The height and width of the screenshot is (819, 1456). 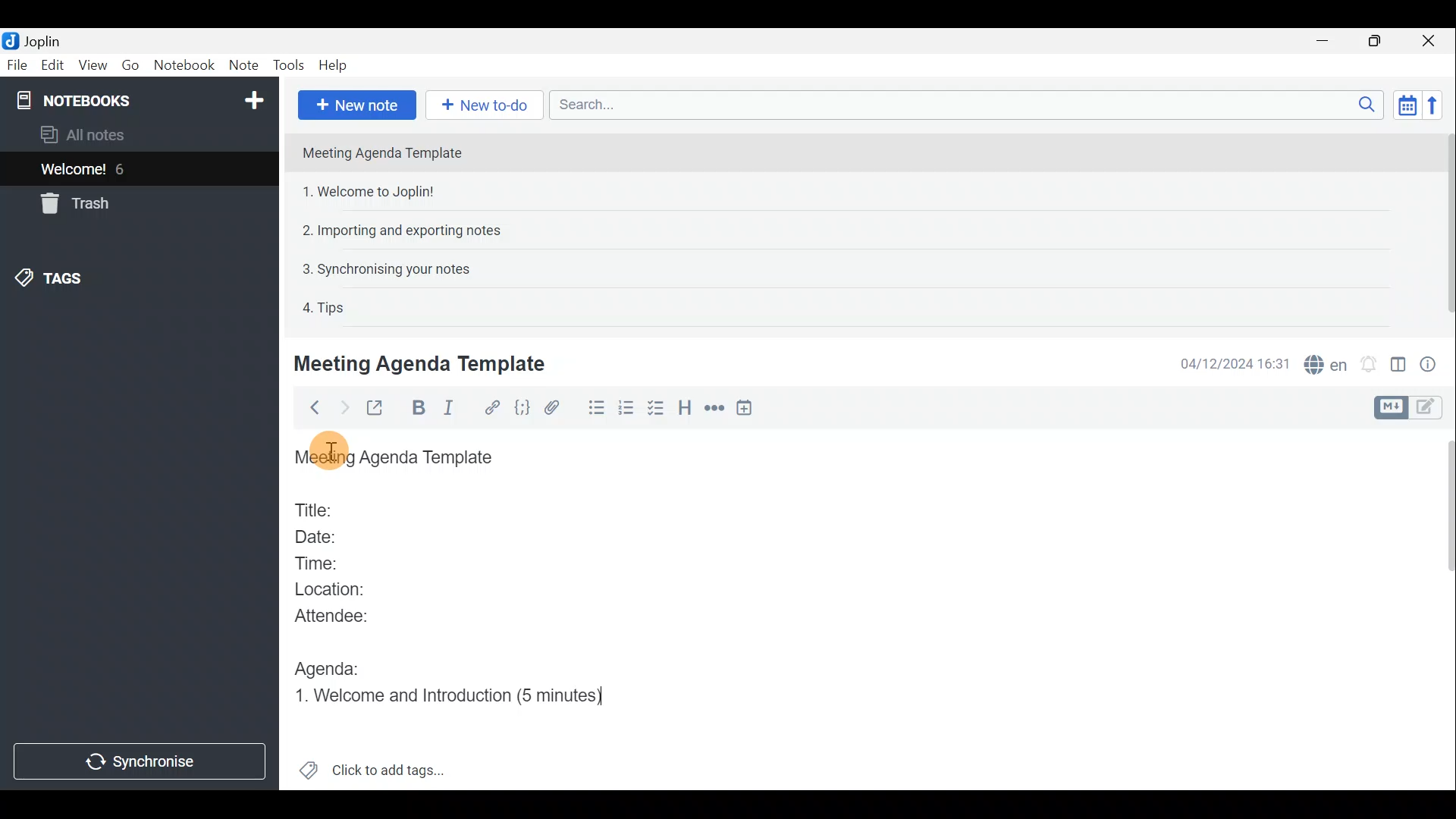 What do you see at coordinates (310, 410) in the screenshot?
I see `Back` at bounding box center [310, 410].